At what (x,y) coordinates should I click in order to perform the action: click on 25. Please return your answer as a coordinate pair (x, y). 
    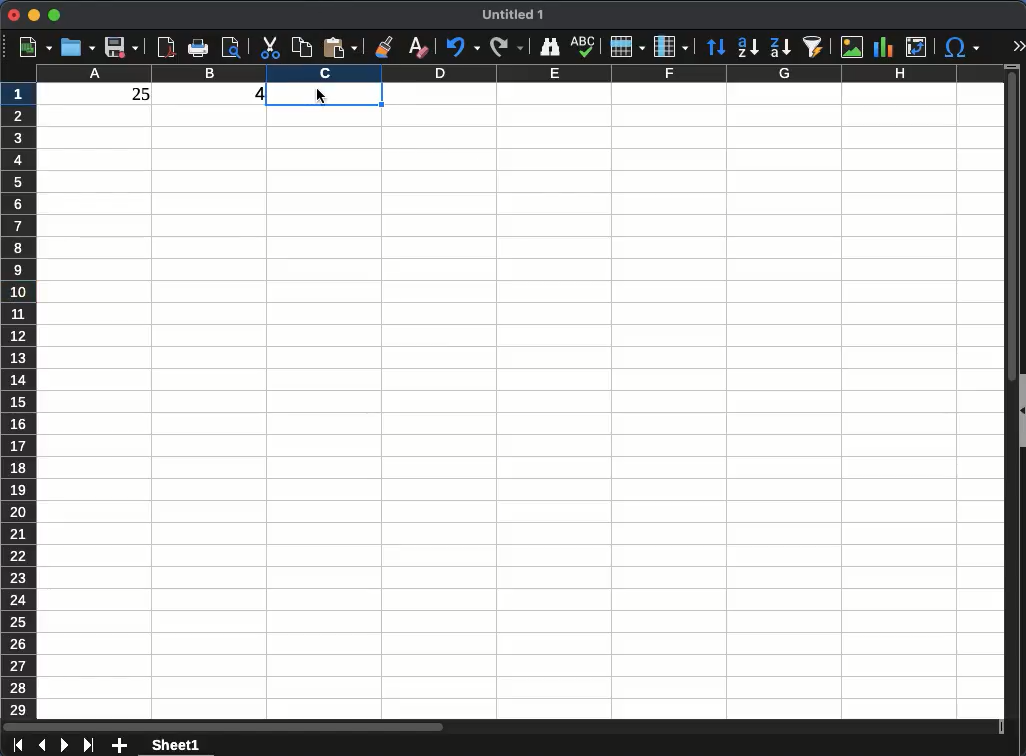
    Looking at the image, I should click on (133, 94).